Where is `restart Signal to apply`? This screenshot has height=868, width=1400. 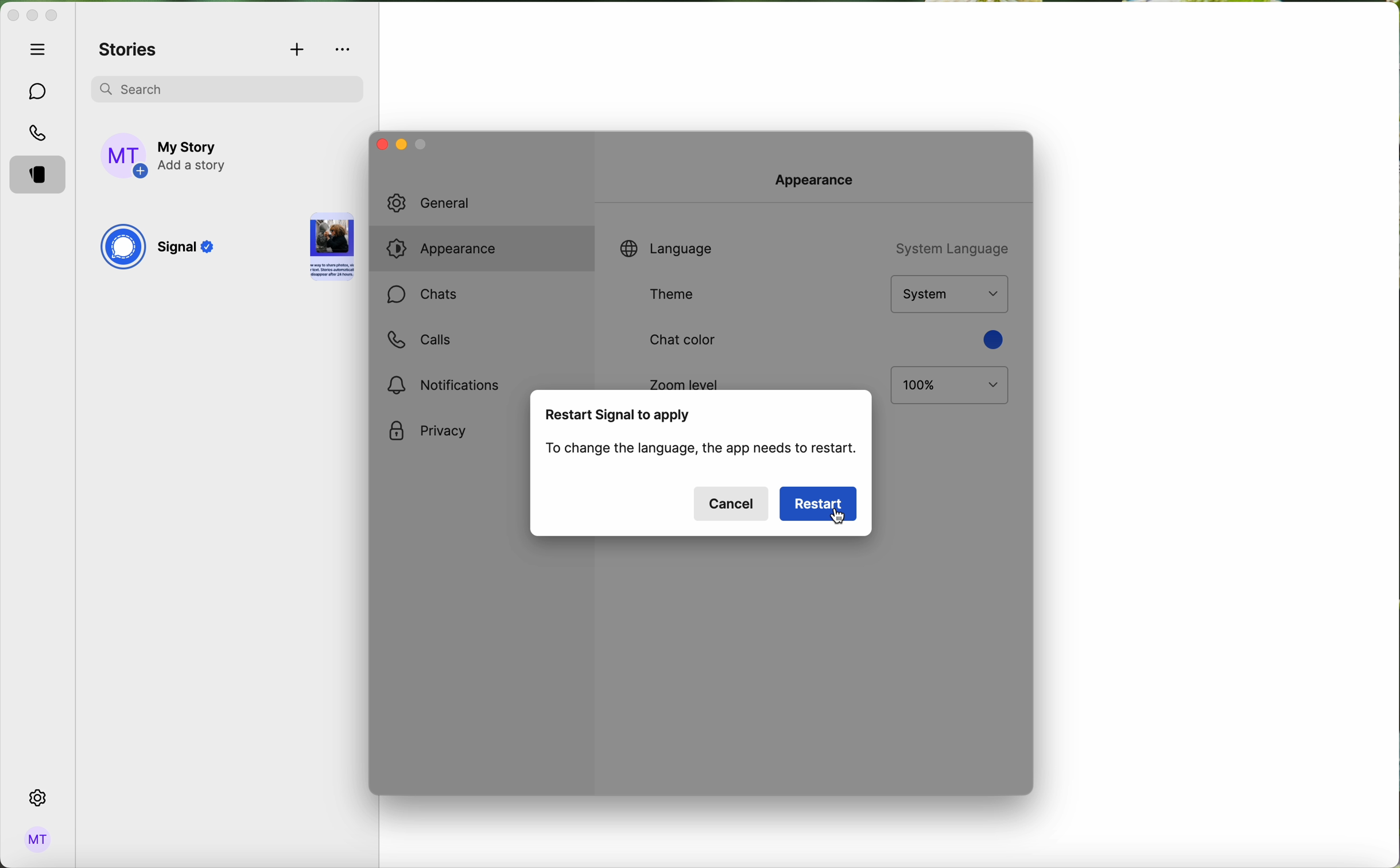 restart Signal to apply is located at coordinates (619, 416).